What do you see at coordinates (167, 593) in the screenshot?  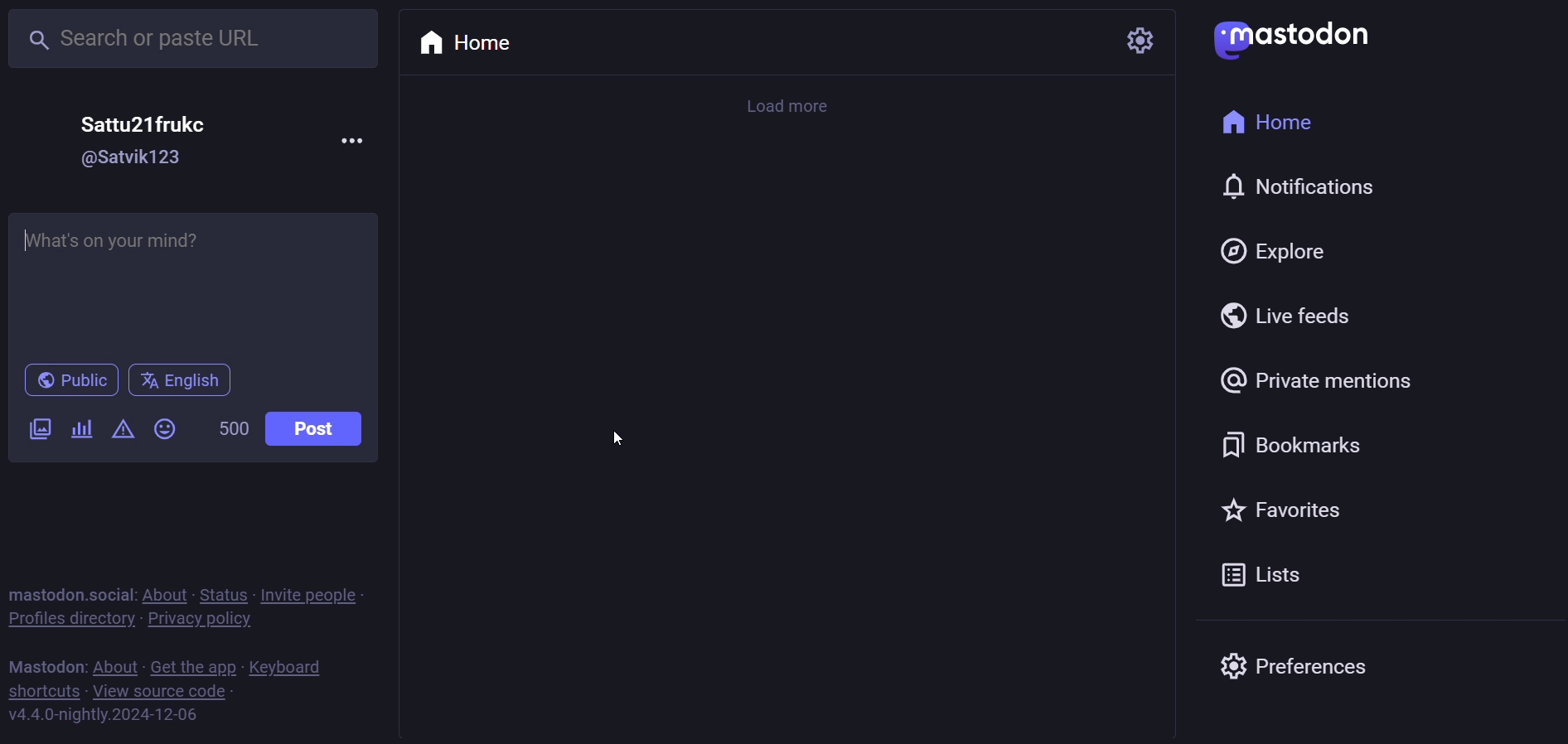 I see `About` at bounding box center [167, 593].